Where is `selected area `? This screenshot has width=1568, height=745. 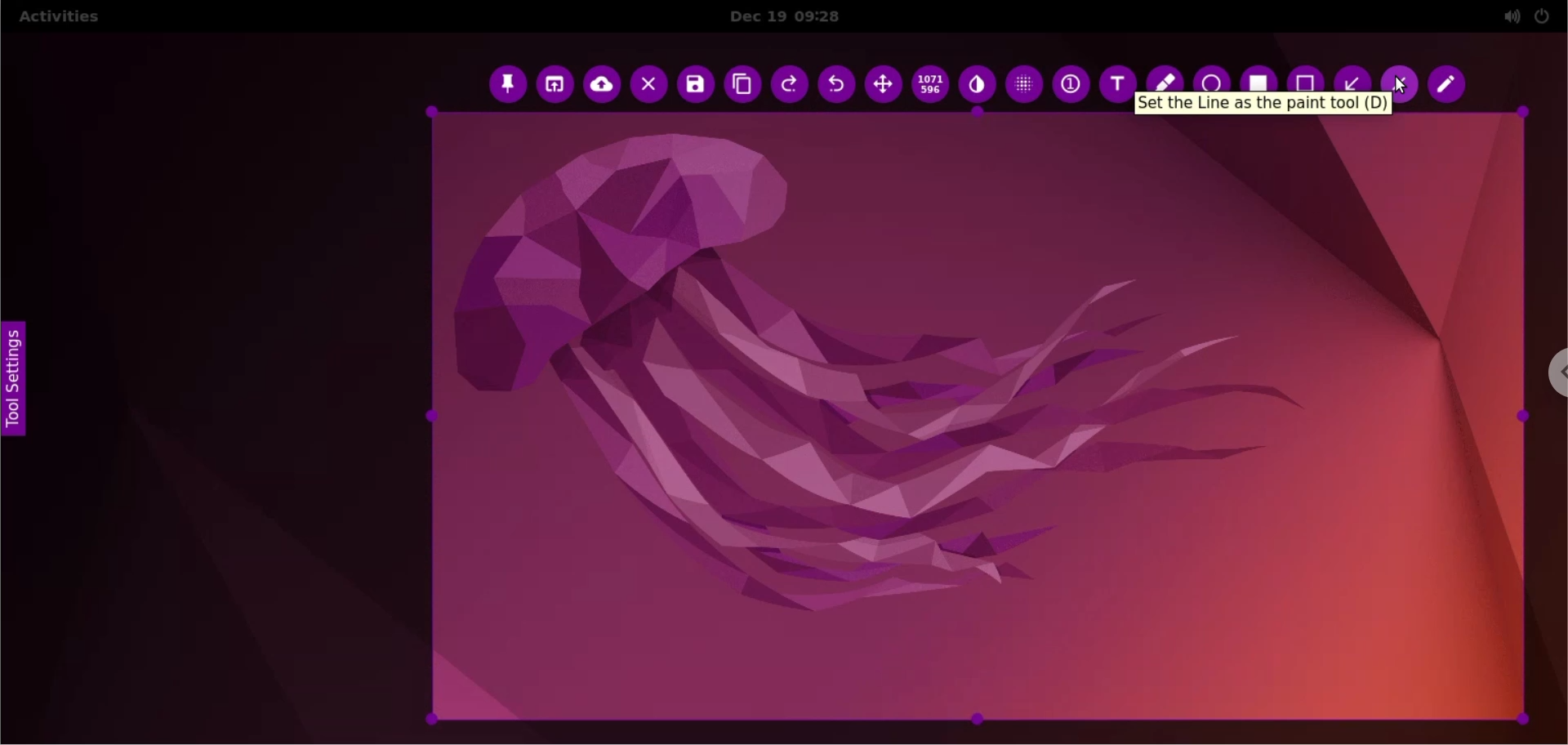 selected area  is located at coordinates (976, 417).